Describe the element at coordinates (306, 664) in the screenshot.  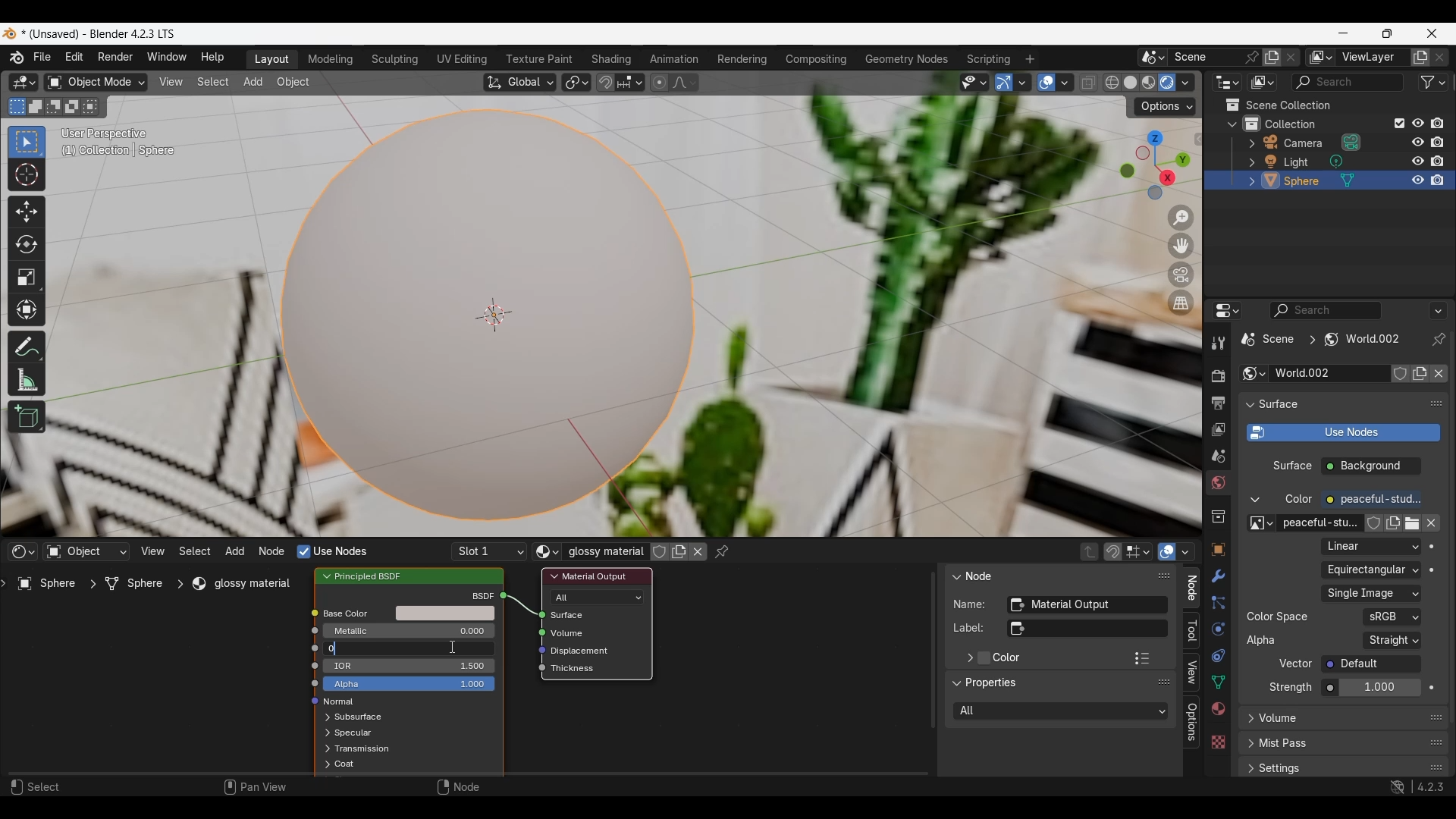
I see `icon` at that location.